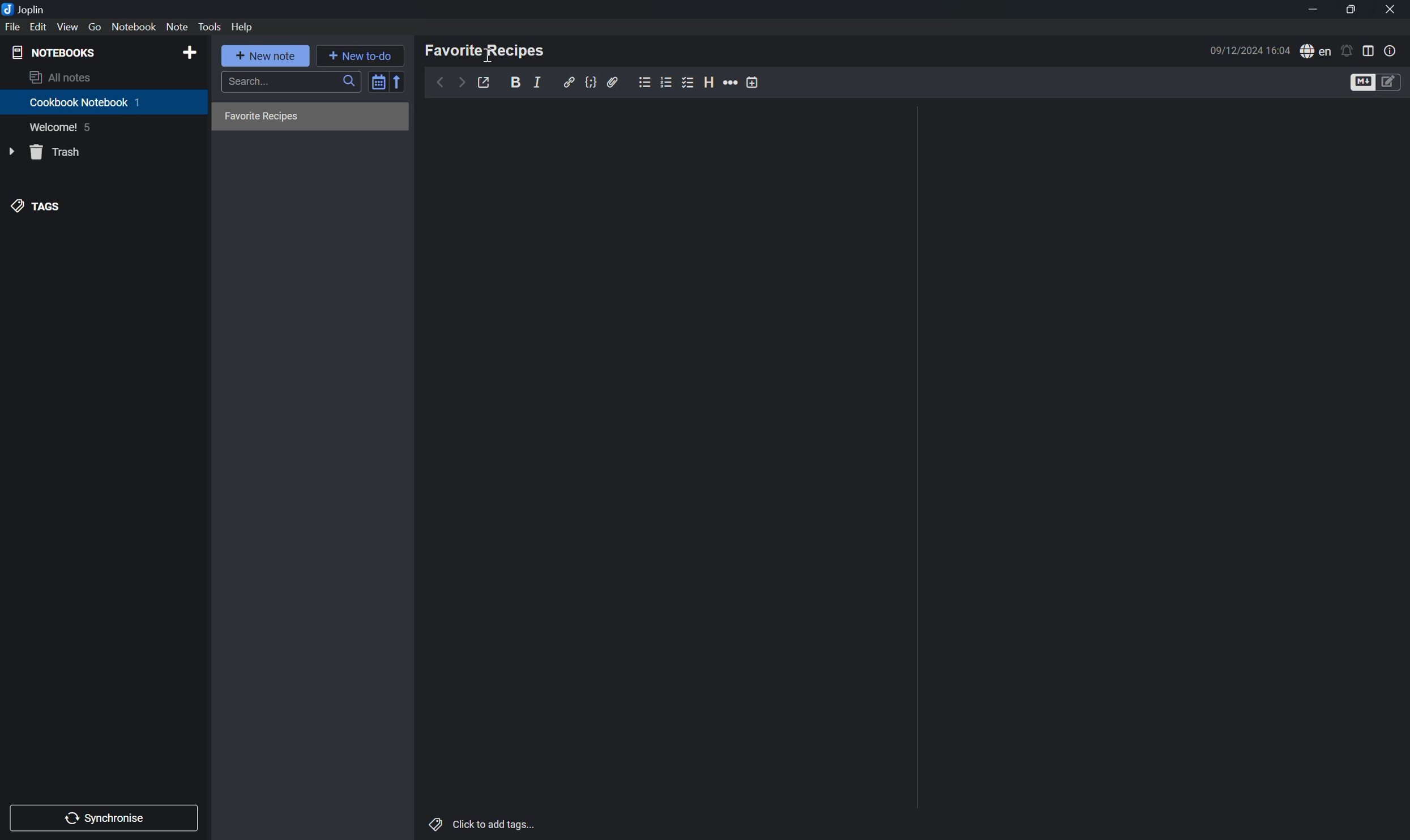 This screenshot has width=1410, height=840. I want to click on Favorite recipies, so click(263, 117).